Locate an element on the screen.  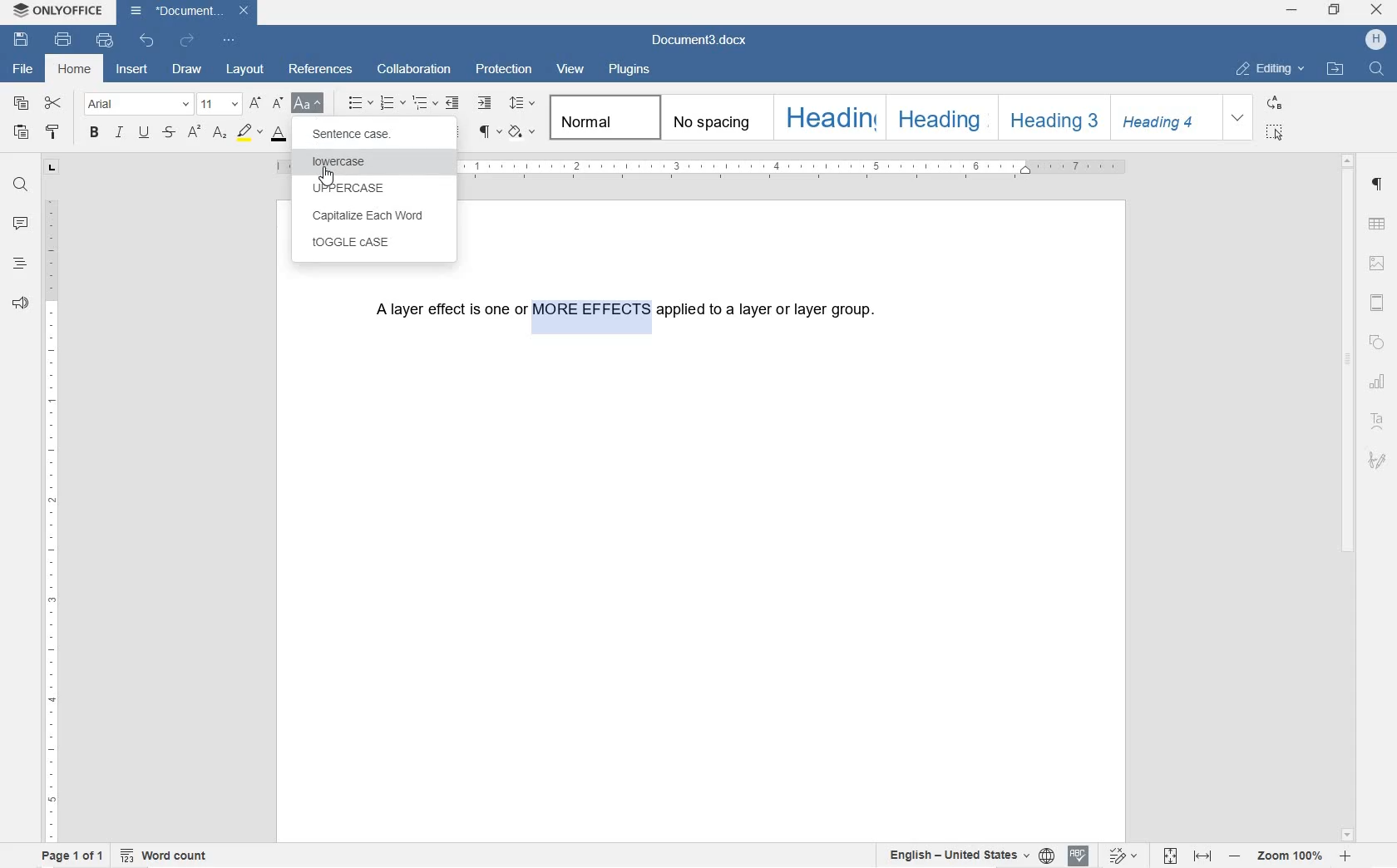
HEADERS & FOOTERS is located at coordinates (1377, 303).